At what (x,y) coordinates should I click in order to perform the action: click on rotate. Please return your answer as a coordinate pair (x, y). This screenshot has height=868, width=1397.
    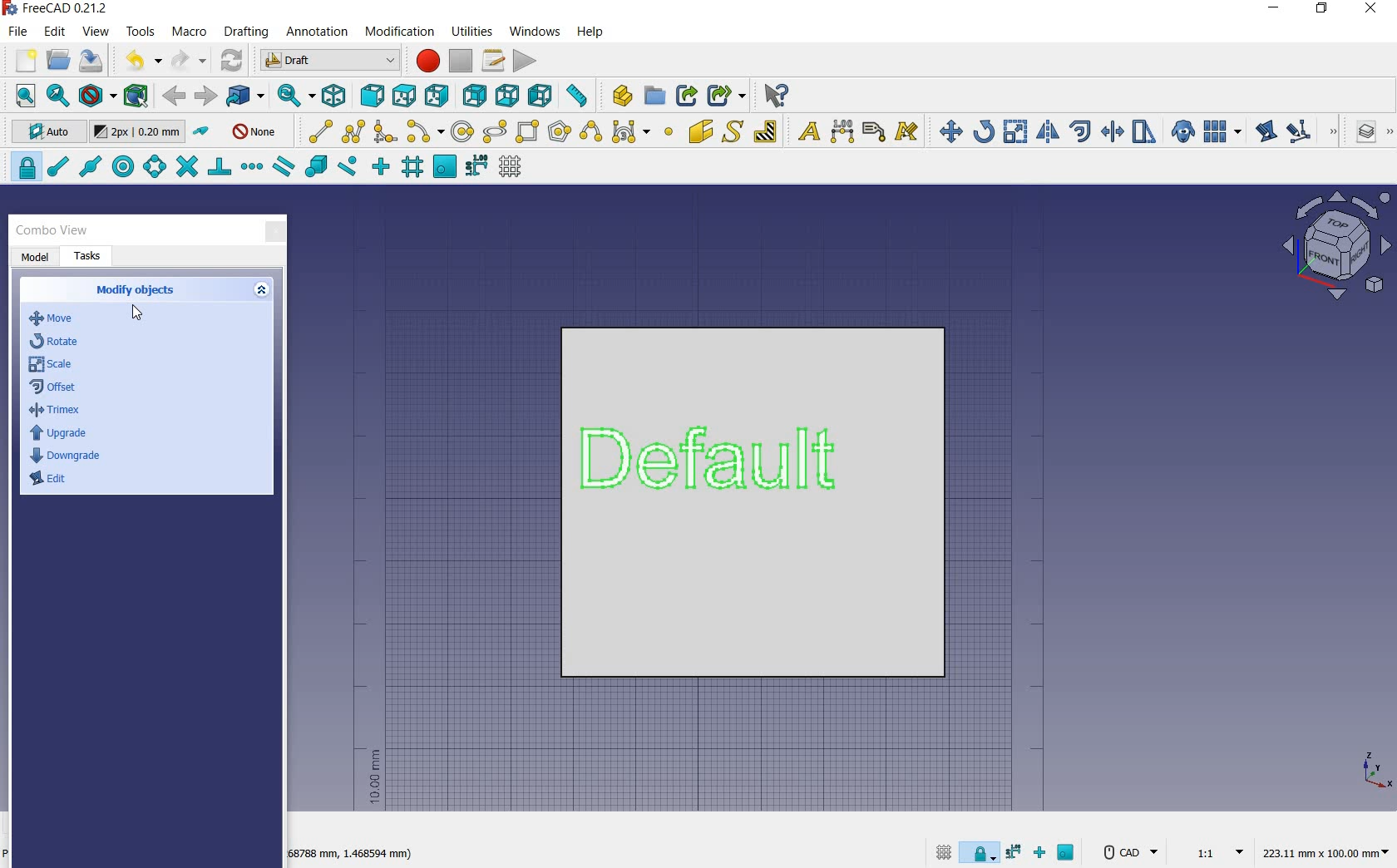
    Looking at the image, I should click on (984, 131).